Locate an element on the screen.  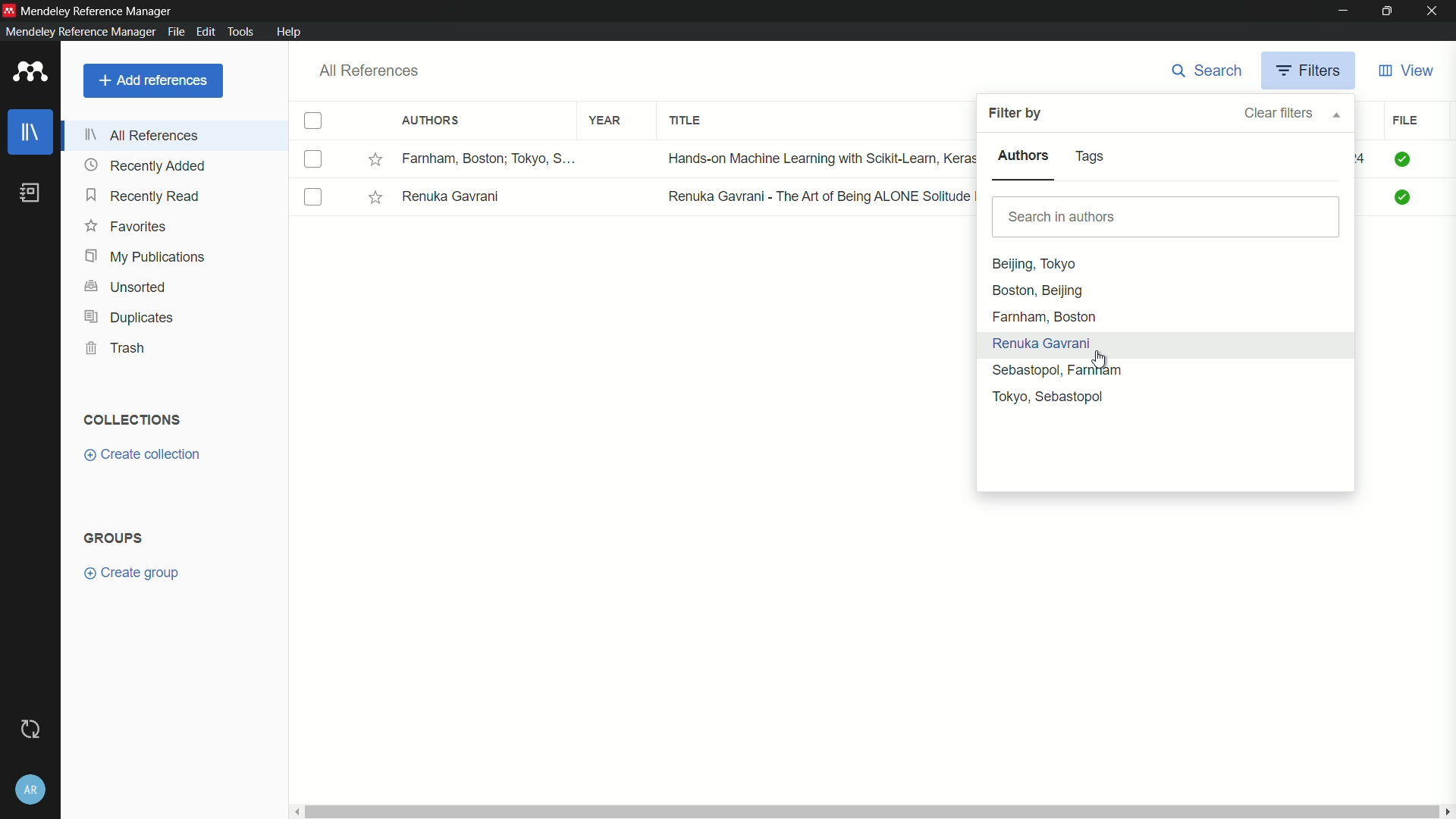
mendeley reference manager is located at coordinates (97, 11).